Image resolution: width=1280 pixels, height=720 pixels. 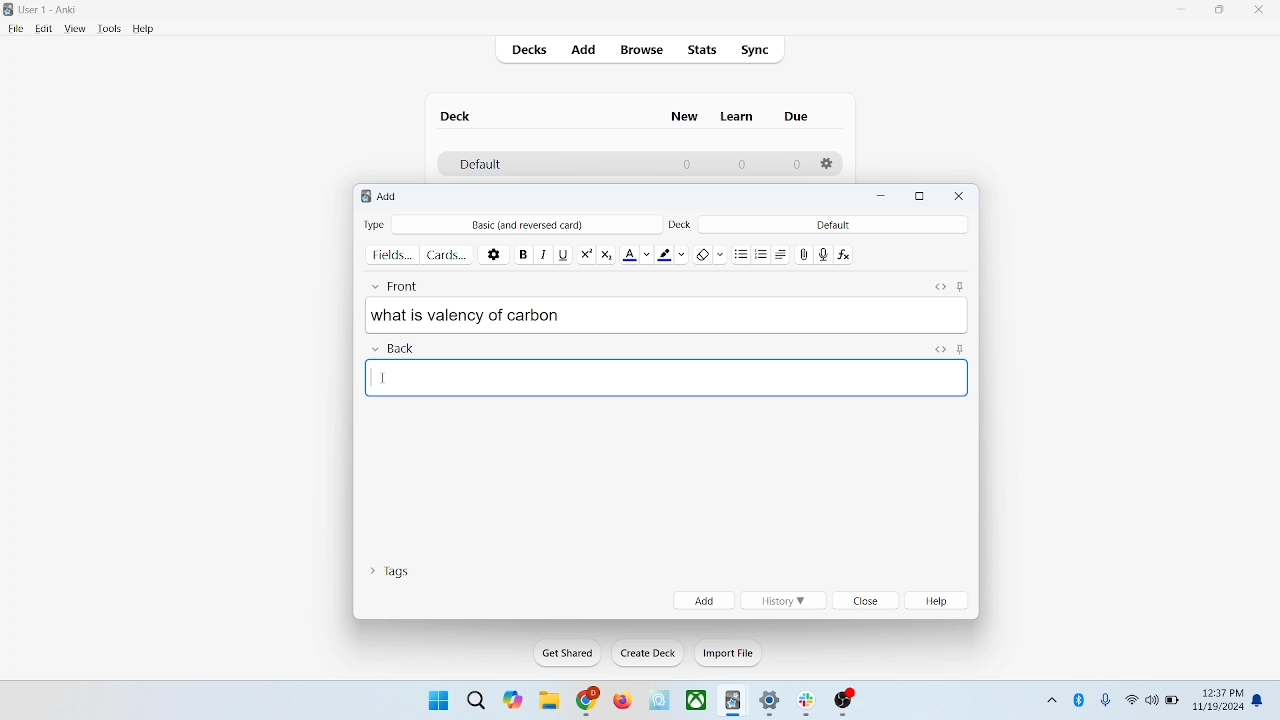 I want to click on icon, so click(x=845, y=703).